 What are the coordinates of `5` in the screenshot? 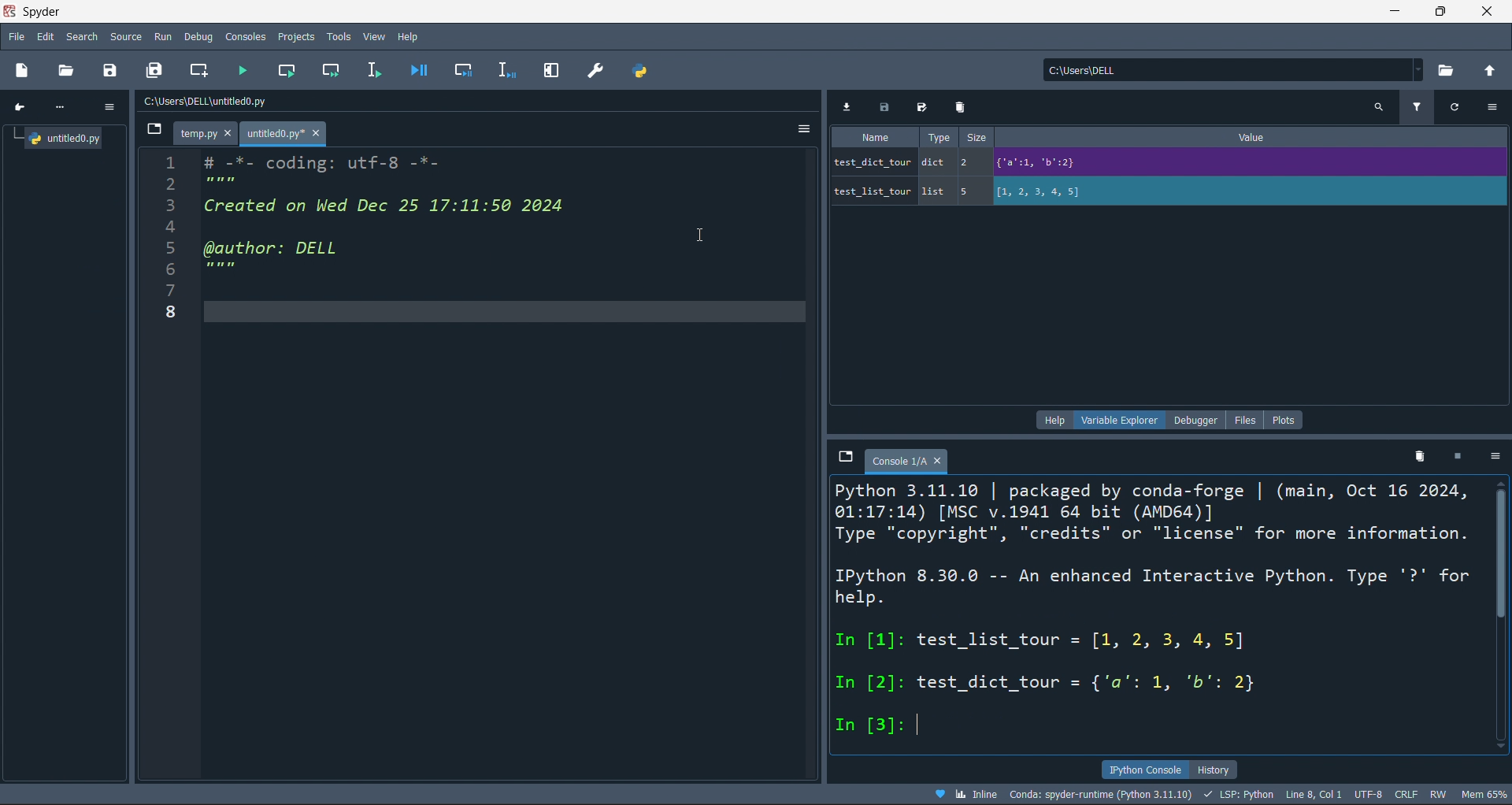 It's located at (967, 191).